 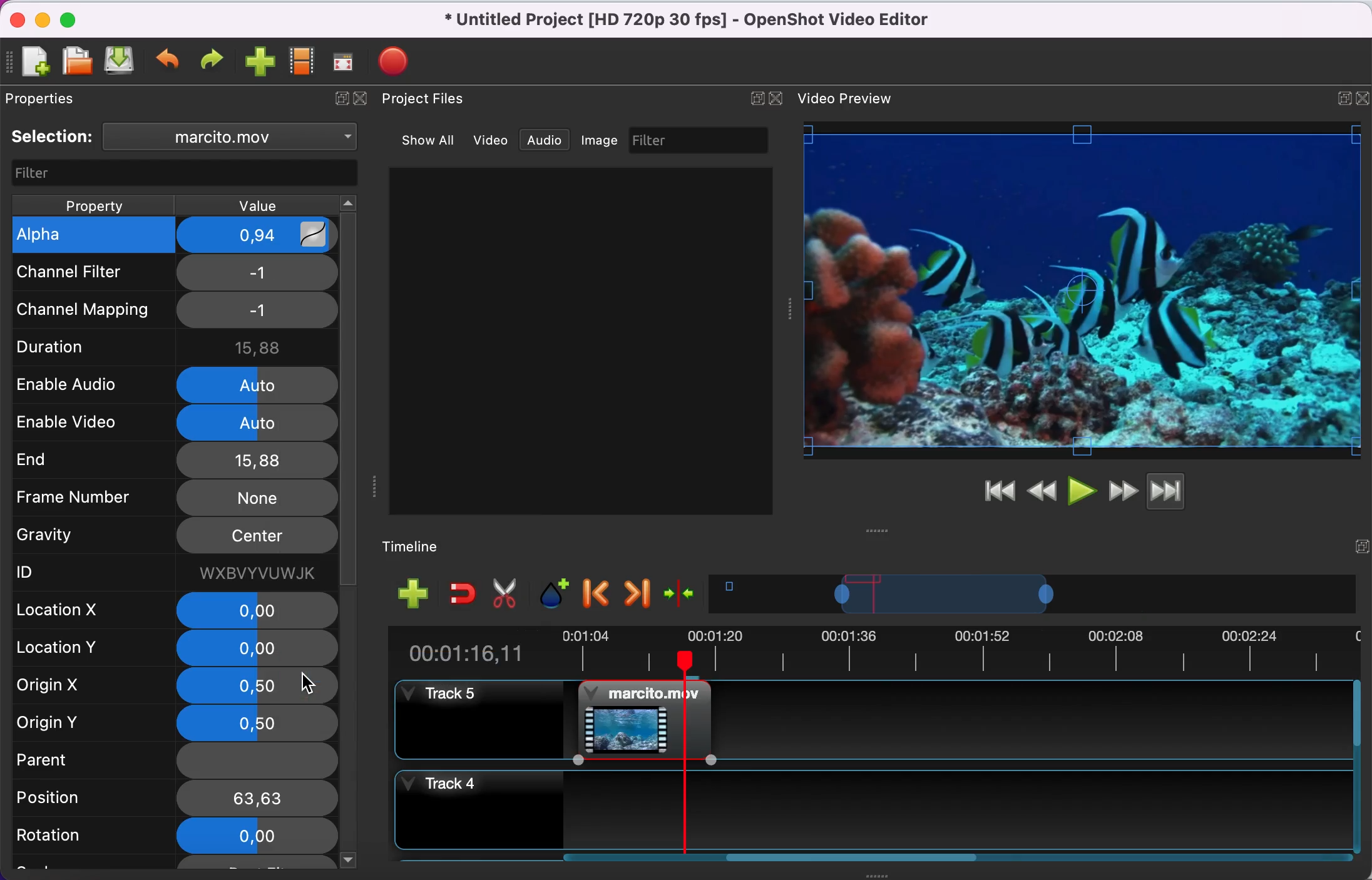 I want to click on Alpha, so click(x=77, y=238).